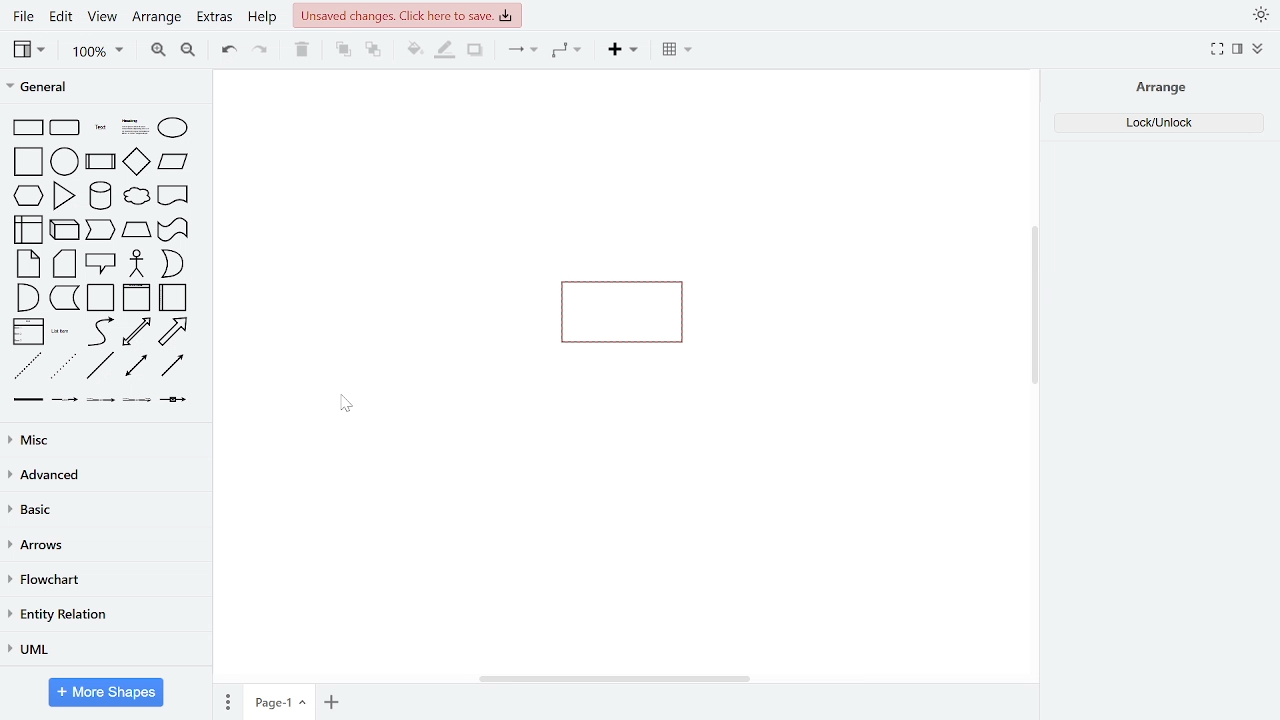  What do you see at coordinates (66, 399) in the screenshot?
I see `connector with label` at bounding box center [66, 399].